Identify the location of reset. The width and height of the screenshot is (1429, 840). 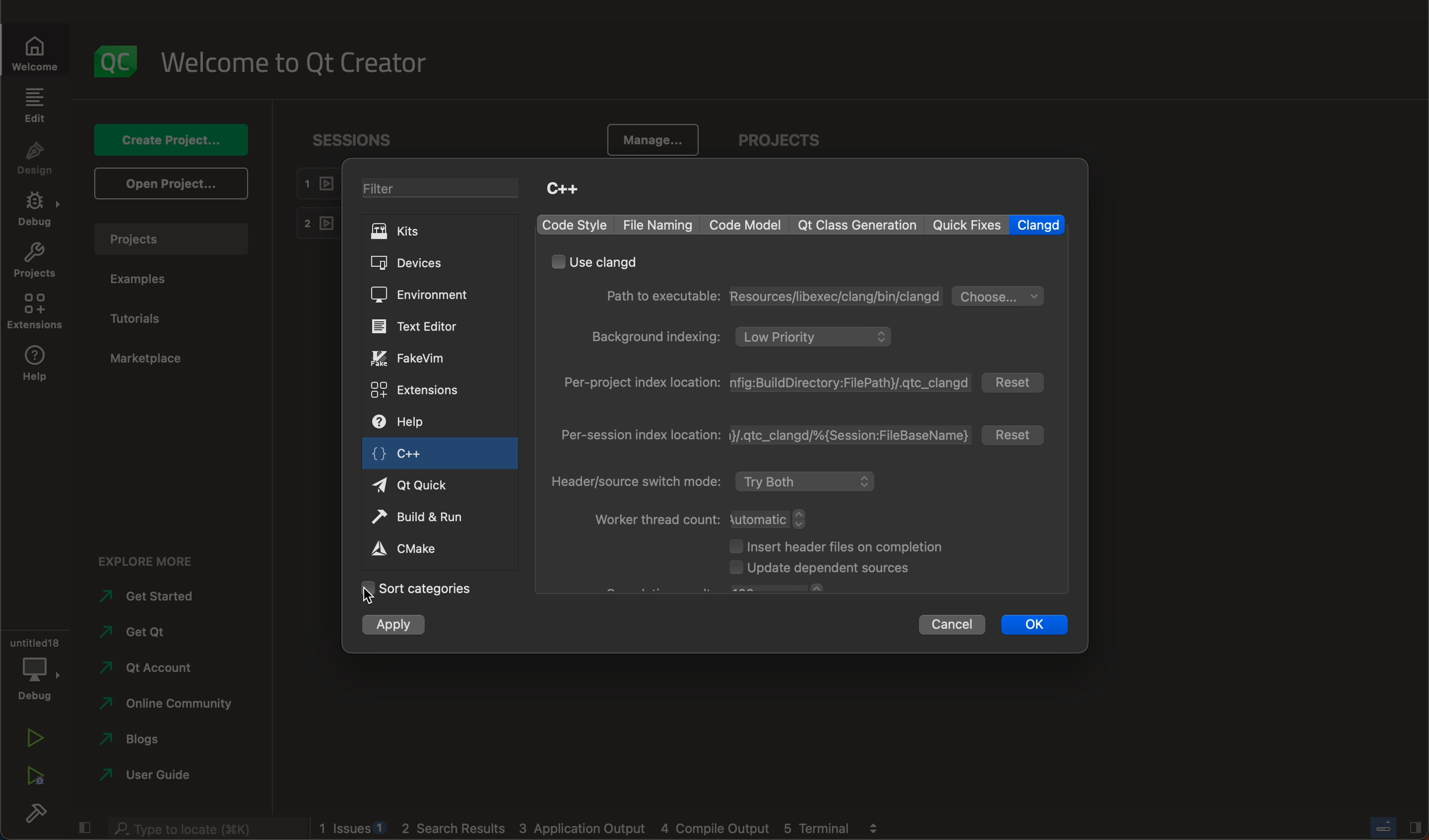
(1015, 382).